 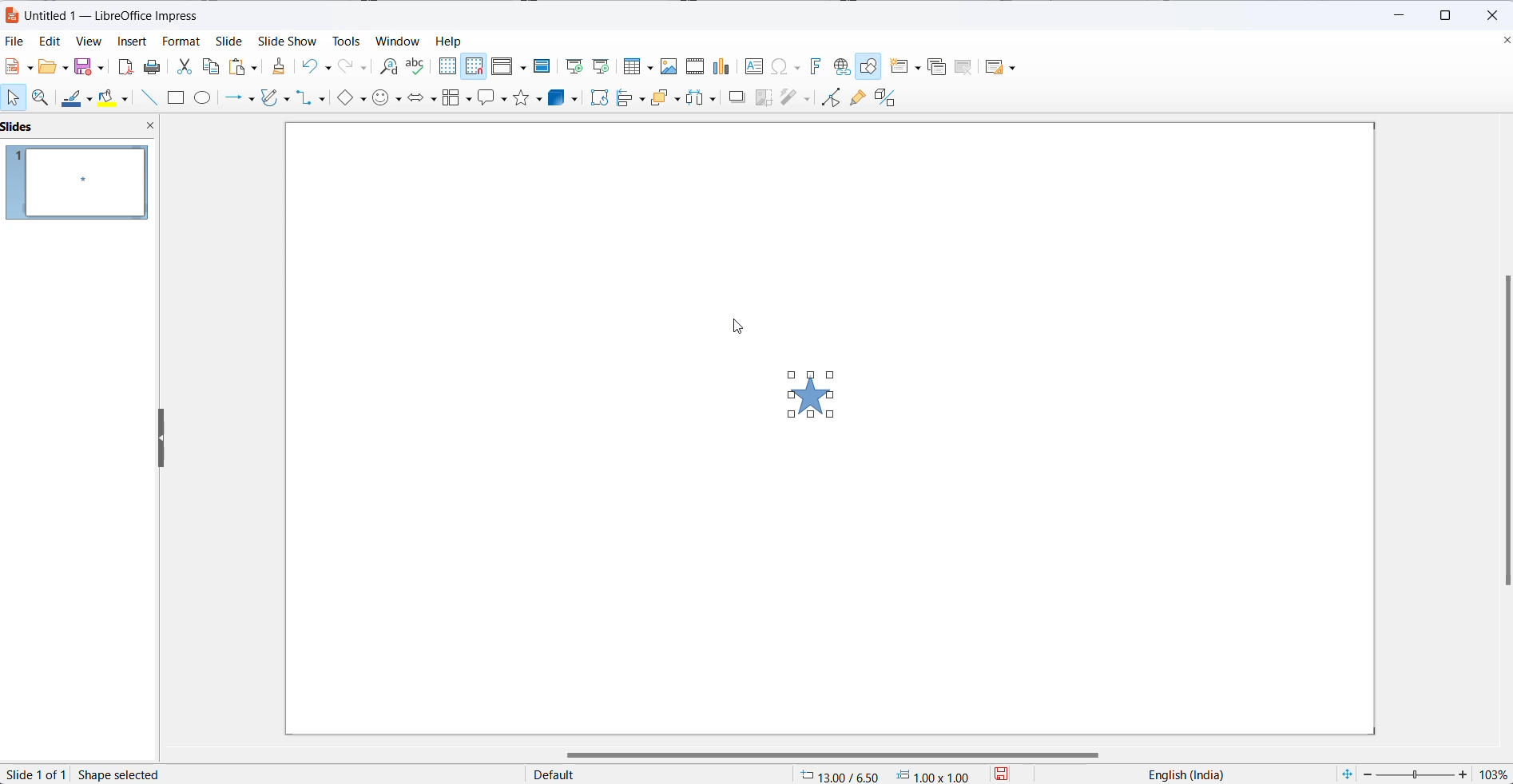 I want to click on zoom slider, so click(x=1417, y=774).